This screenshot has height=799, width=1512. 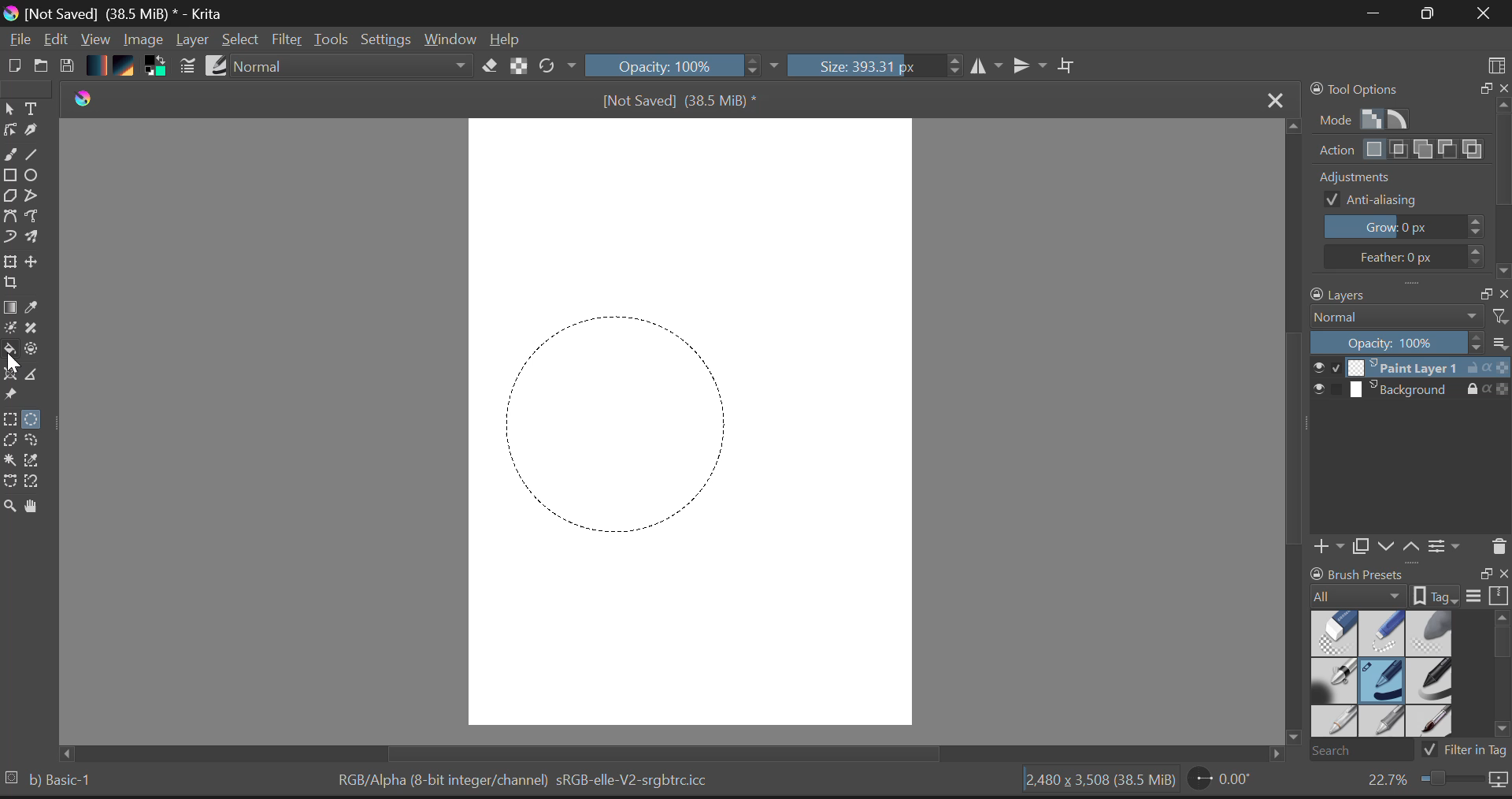 I want to click on Cursor on Fill, so click(x=14, y=350).